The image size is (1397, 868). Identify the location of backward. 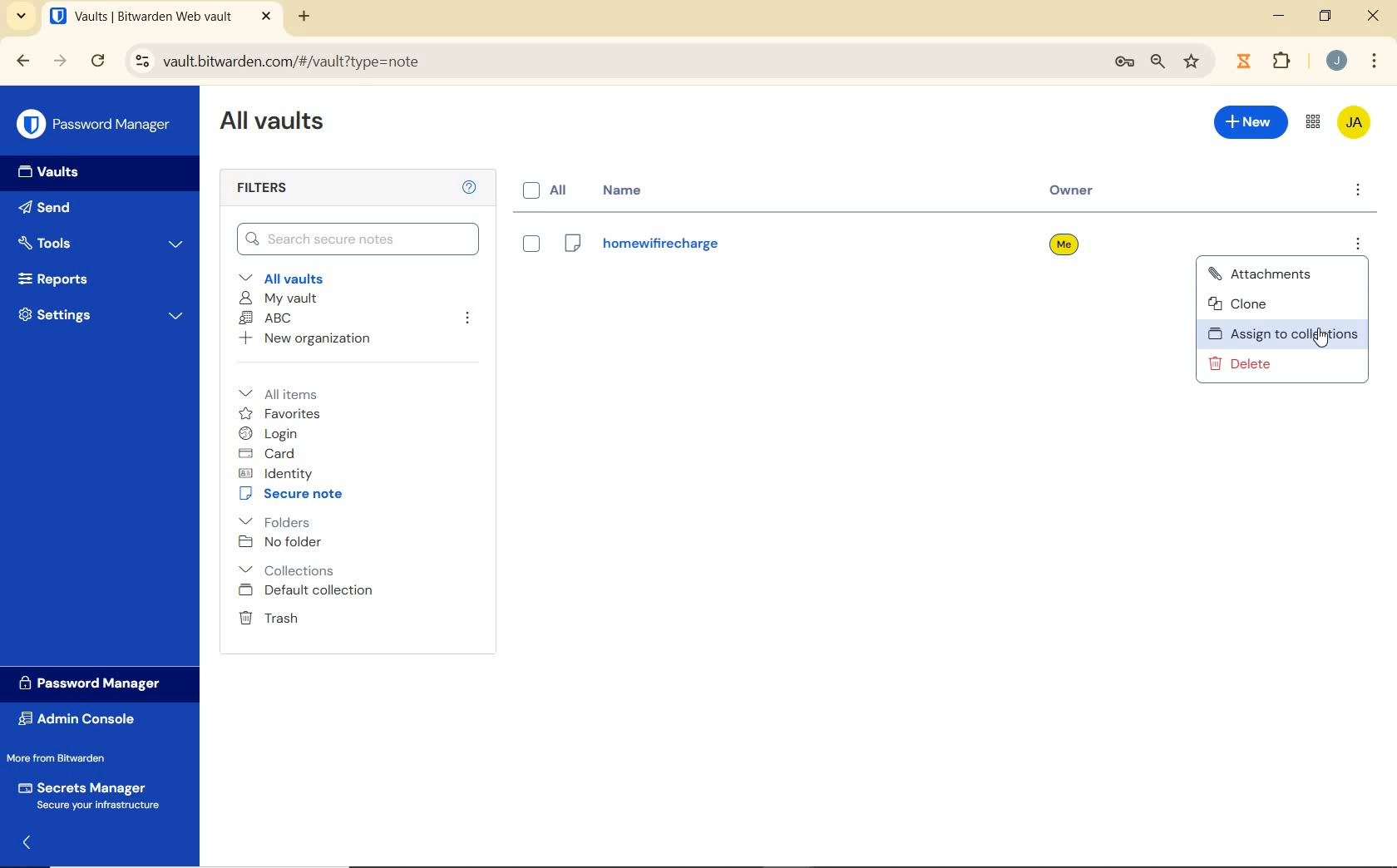
(23, 62).